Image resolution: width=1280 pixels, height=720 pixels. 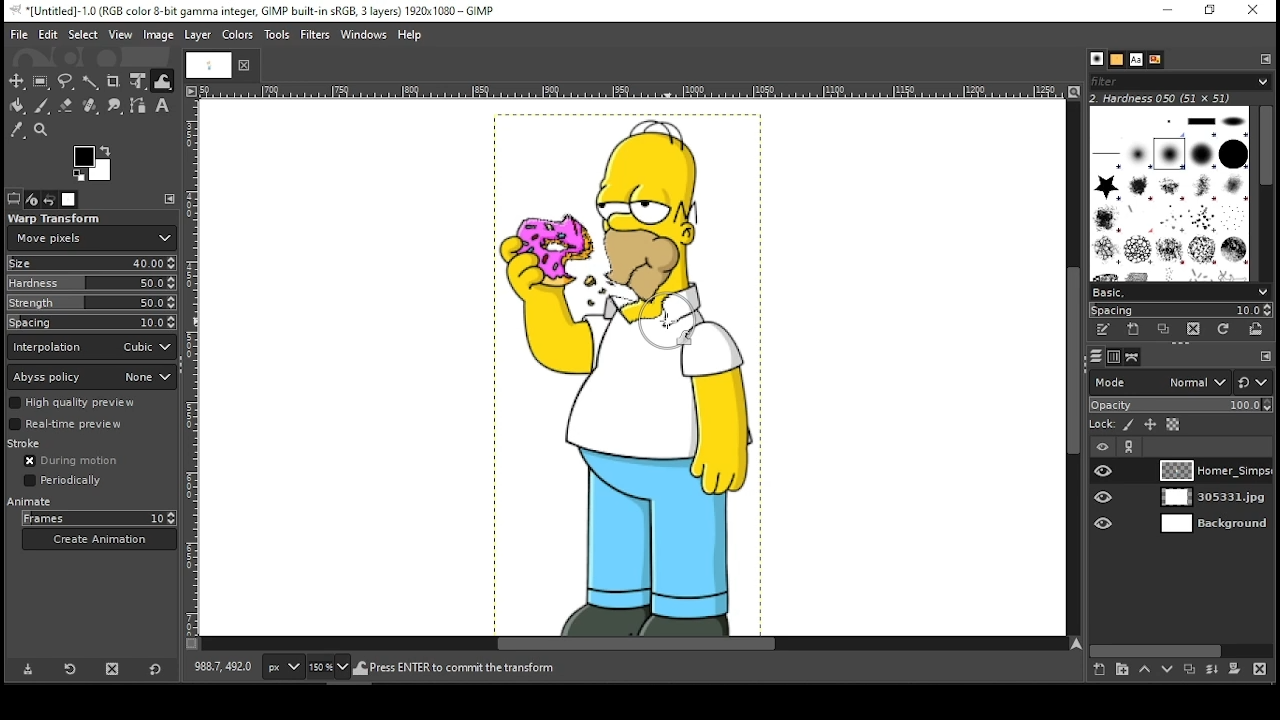 What do you see at coordinates (1215, 525) in the screenshot?
I see `layer 3` at bounding box center [1215, 525].